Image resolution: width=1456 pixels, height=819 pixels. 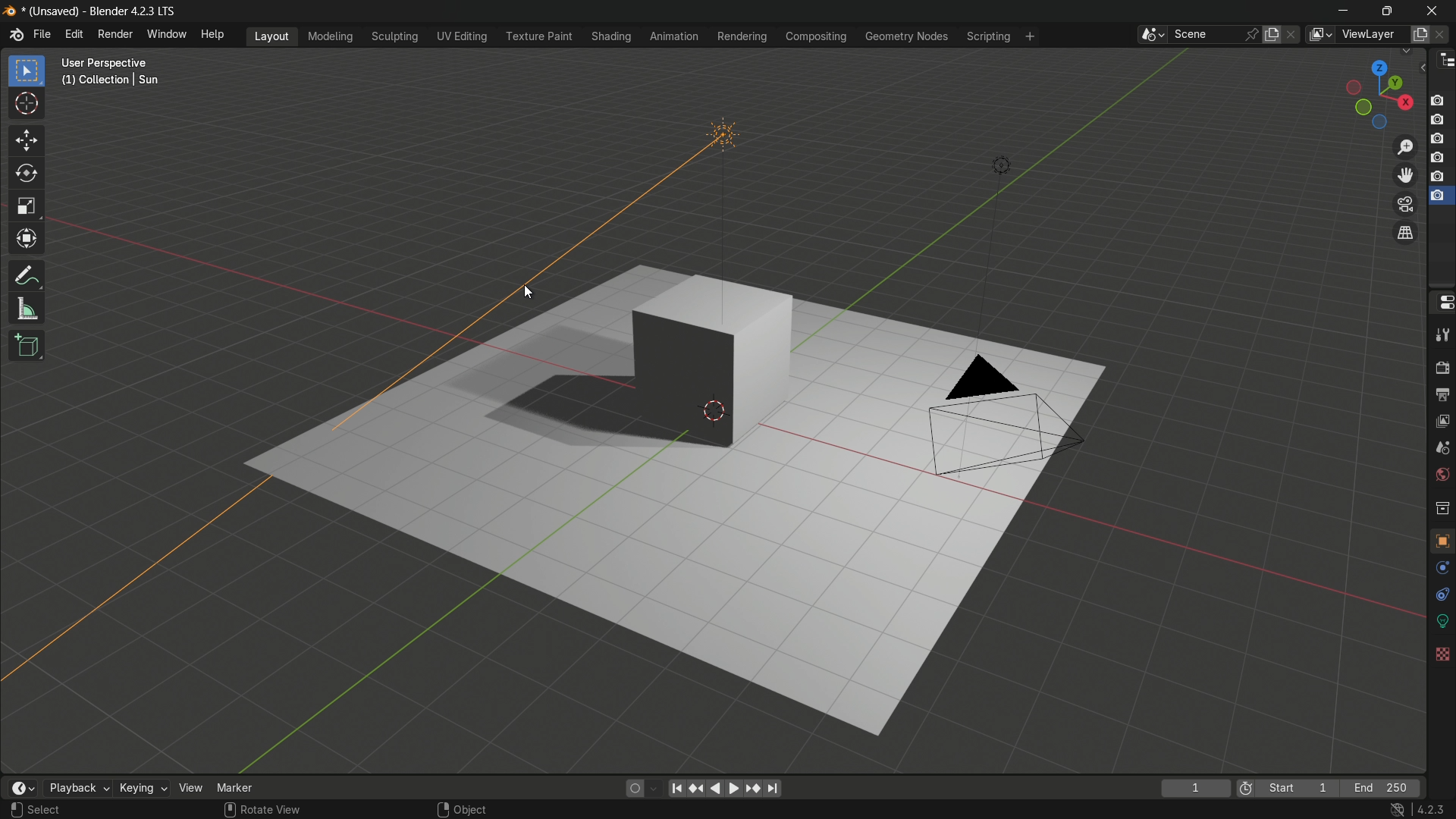 I want to click on right click, so click(x=441, y=809).